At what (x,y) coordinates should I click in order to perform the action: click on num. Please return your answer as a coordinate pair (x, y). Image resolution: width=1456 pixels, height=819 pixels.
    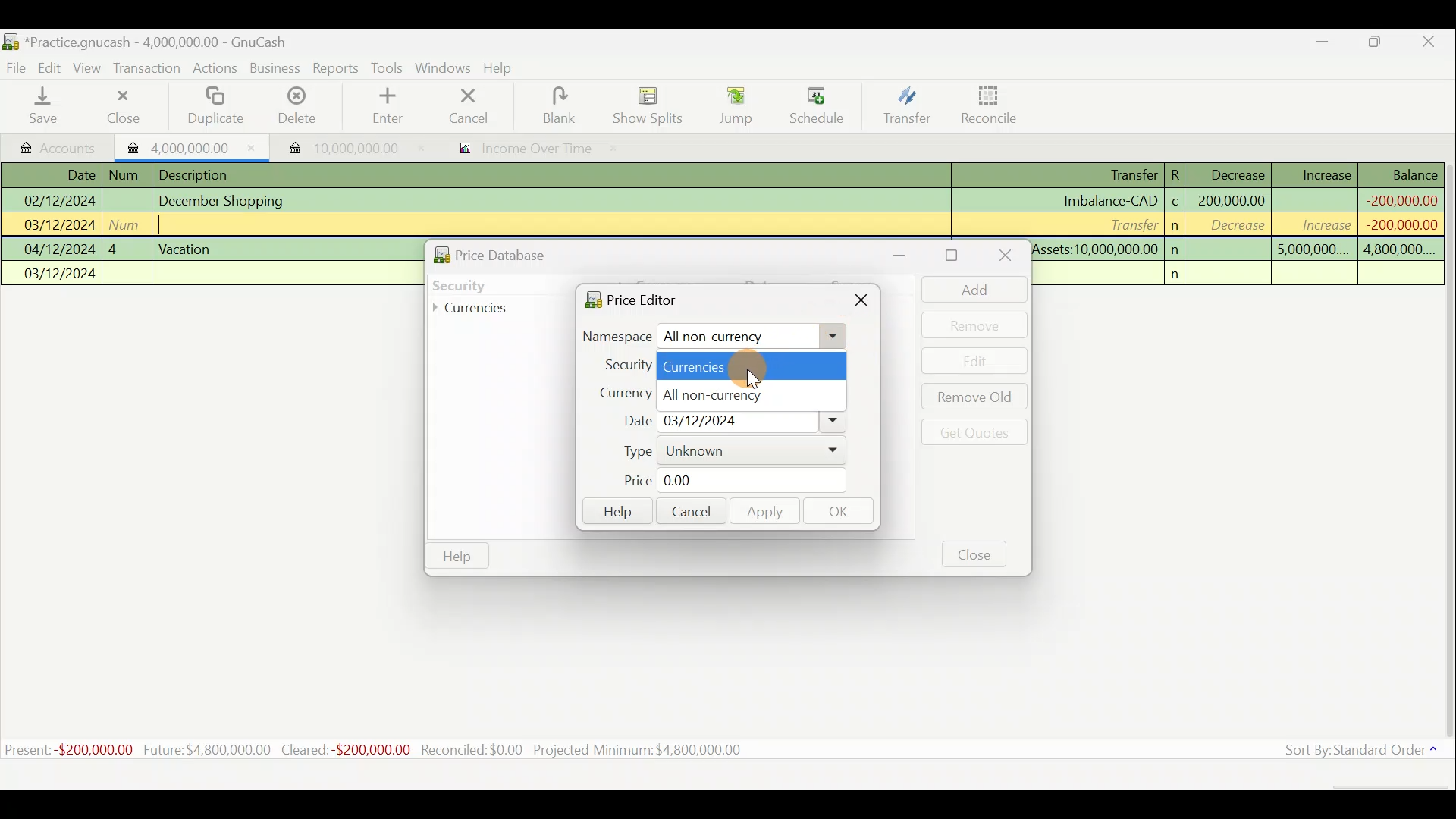
    Looking at the image, I should click on (128, 224).